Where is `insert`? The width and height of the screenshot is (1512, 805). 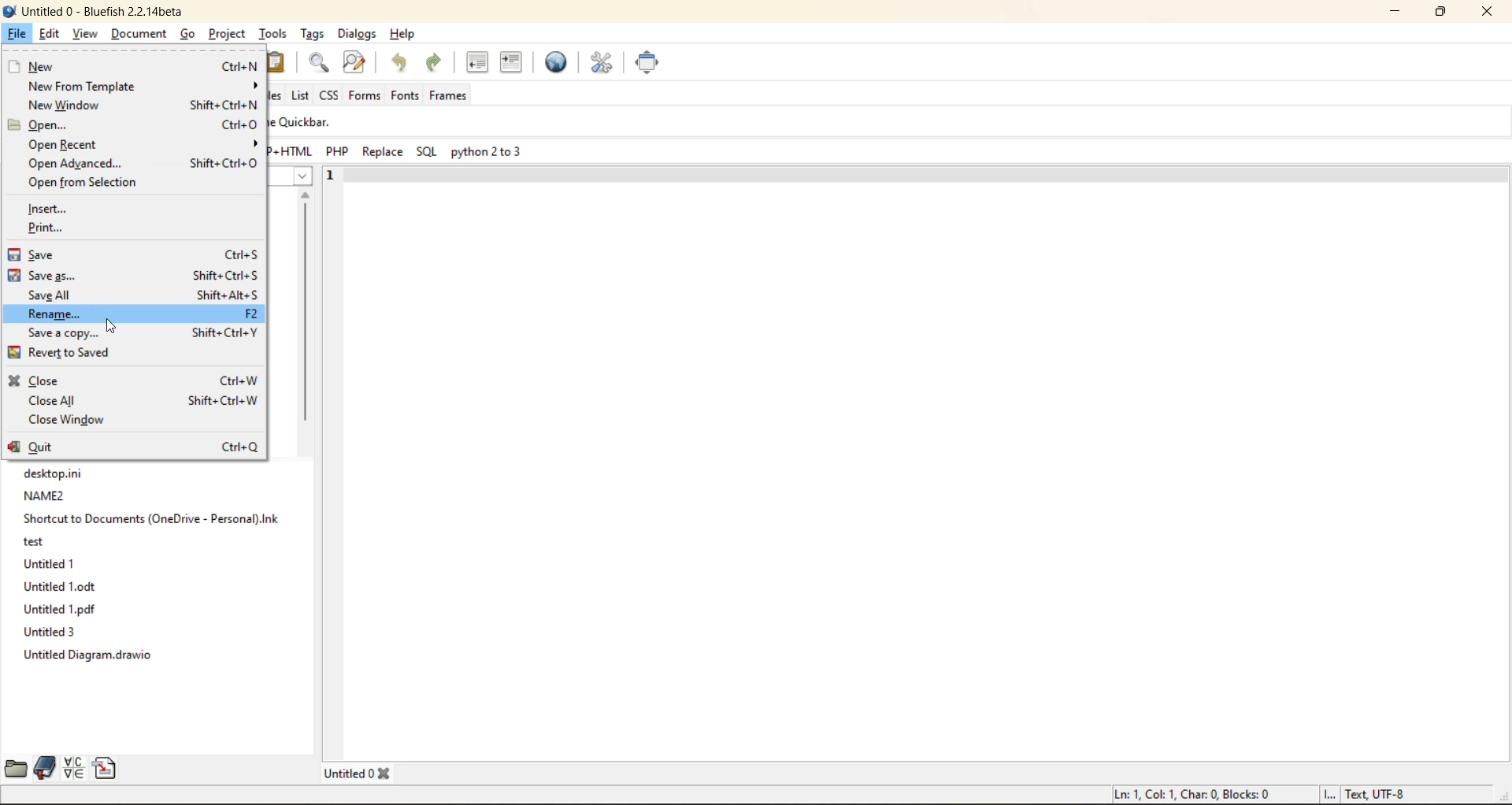 insert is located at coordinates (55, 208).